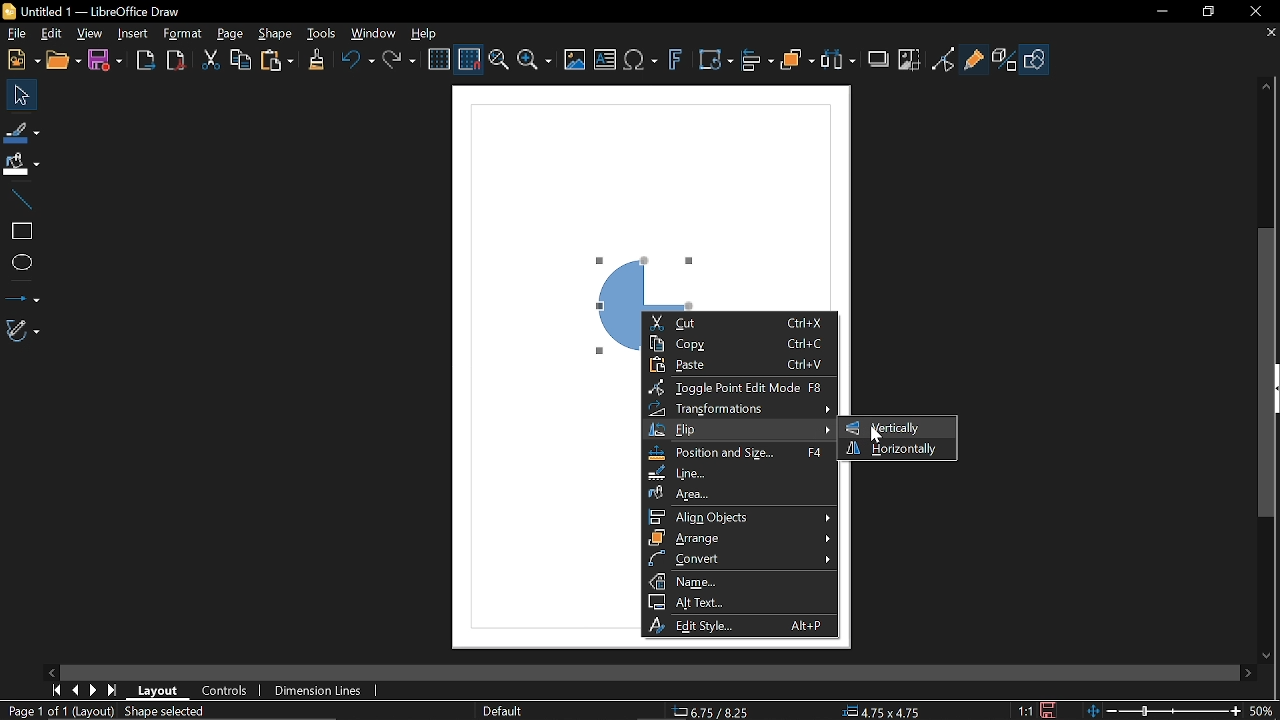 The width and height of the screenshot is (1280, 720). Describe the element at coordinates (799, 61) in the screenshot. I see `Arrange` at that location.